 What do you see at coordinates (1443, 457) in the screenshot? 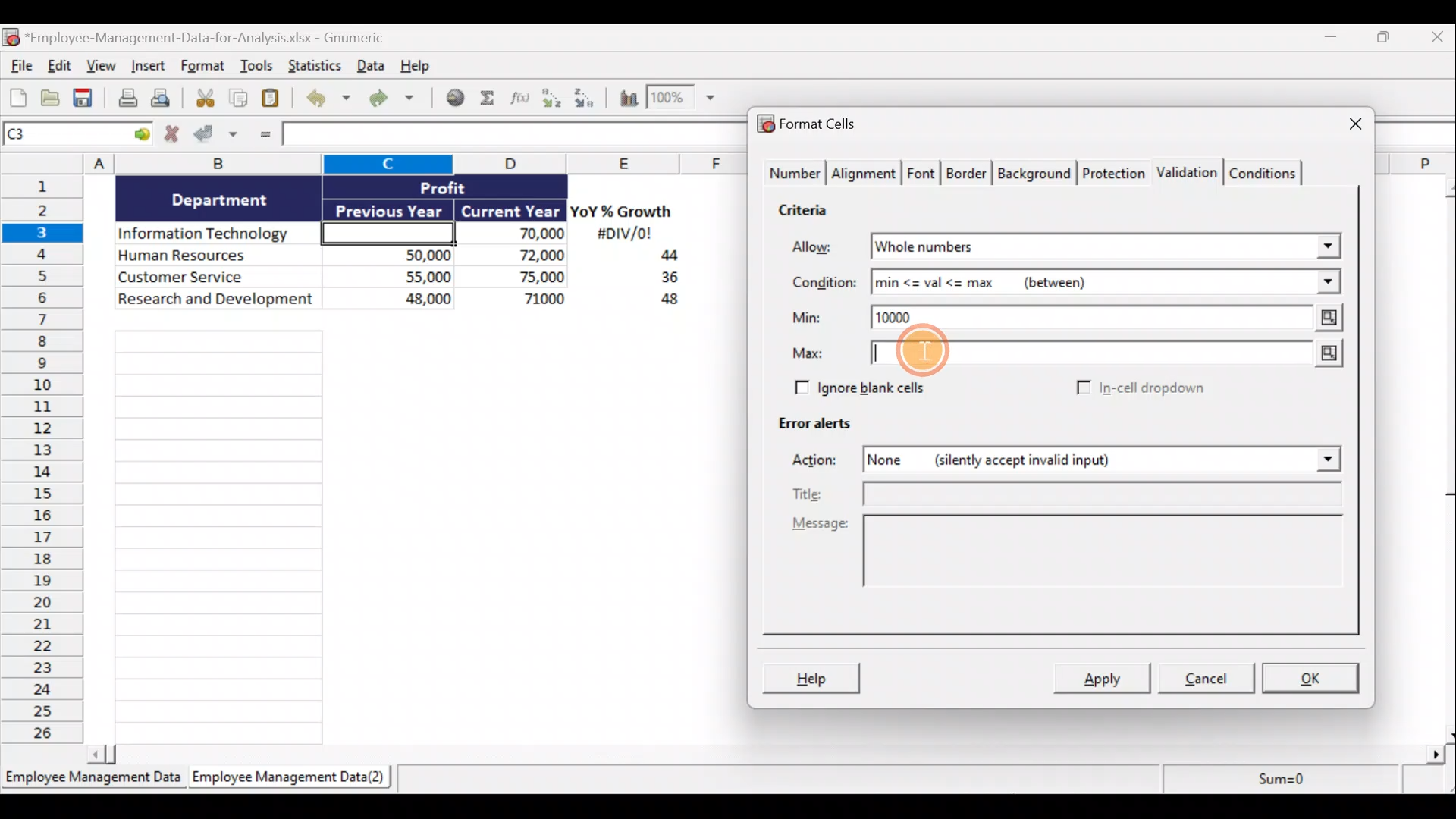
I see `Scroll bar` at bounding box center [1443, 457].